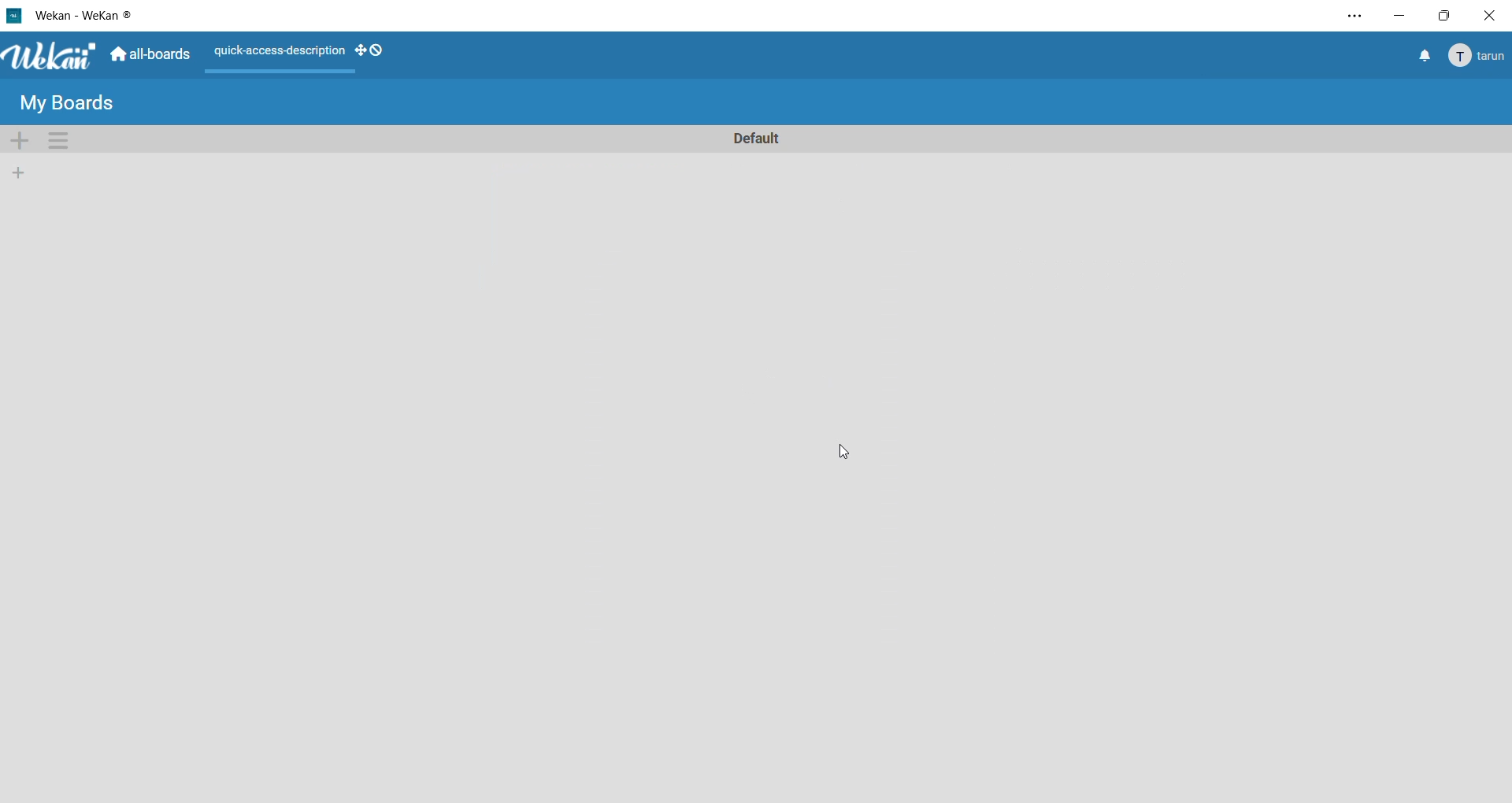  Describe the element at coordinates (17, 174) in the screenshot. I see `add list` at that location.